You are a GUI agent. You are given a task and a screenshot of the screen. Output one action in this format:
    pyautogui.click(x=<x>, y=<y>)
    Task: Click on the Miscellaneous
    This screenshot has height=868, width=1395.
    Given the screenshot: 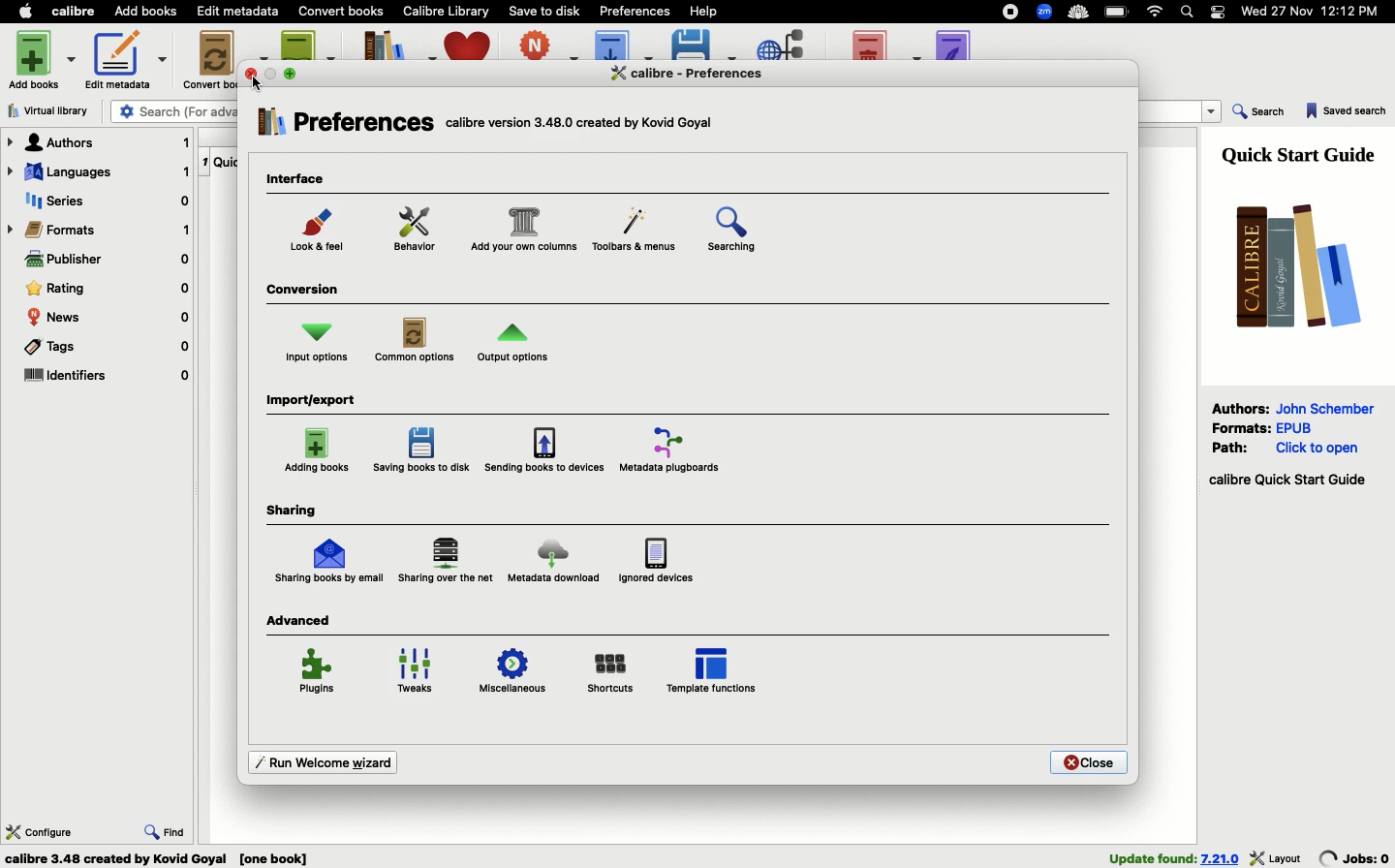 What is the action you would take?
    pyautogui.click(x=512, y=674)
    